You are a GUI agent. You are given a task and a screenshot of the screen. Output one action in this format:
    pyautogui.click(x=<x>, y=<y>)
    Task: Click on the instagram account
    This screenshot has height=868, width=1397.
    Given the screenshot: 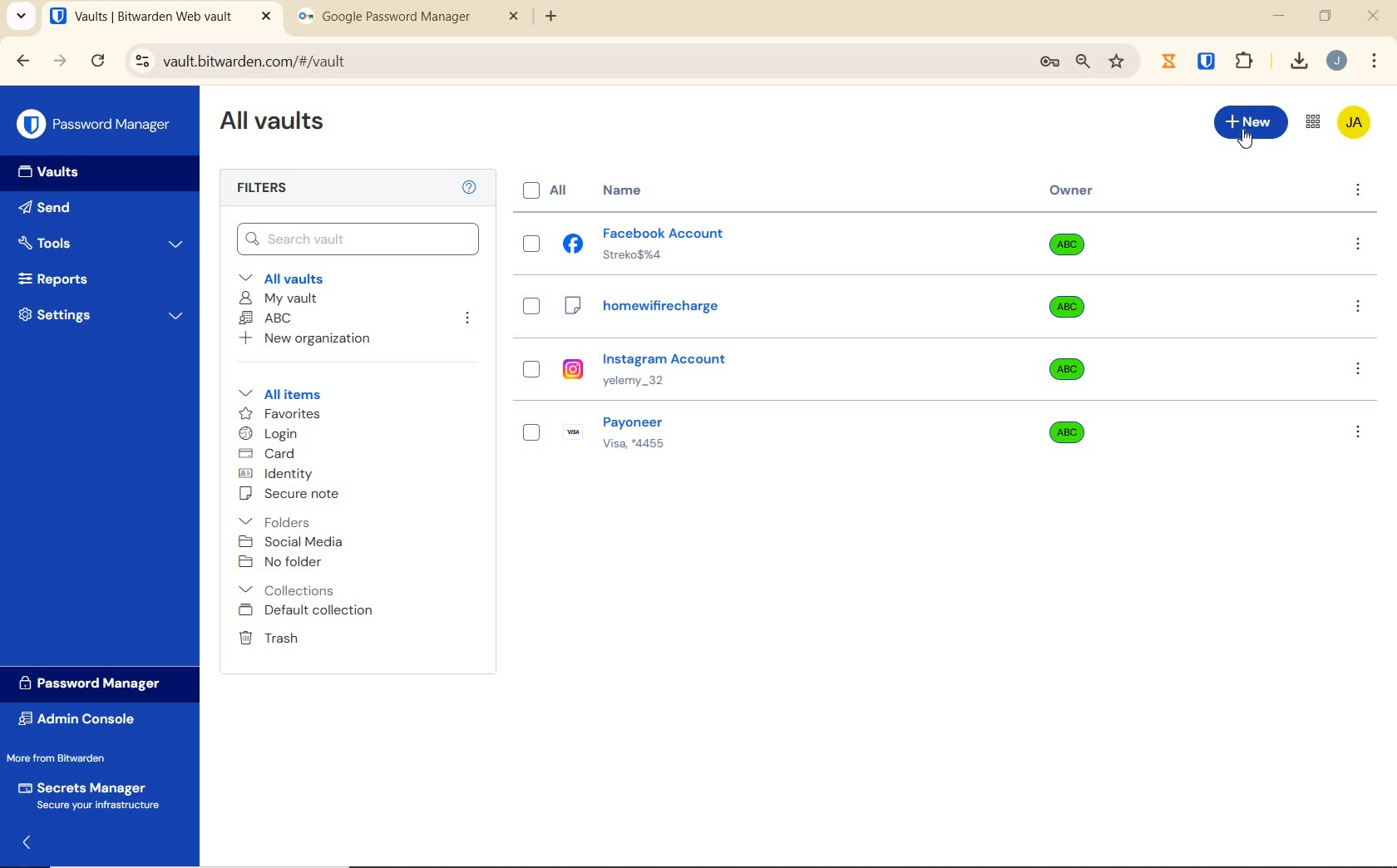 What is the action you would take?
    pyautogui.click(x=649, y=375)
    